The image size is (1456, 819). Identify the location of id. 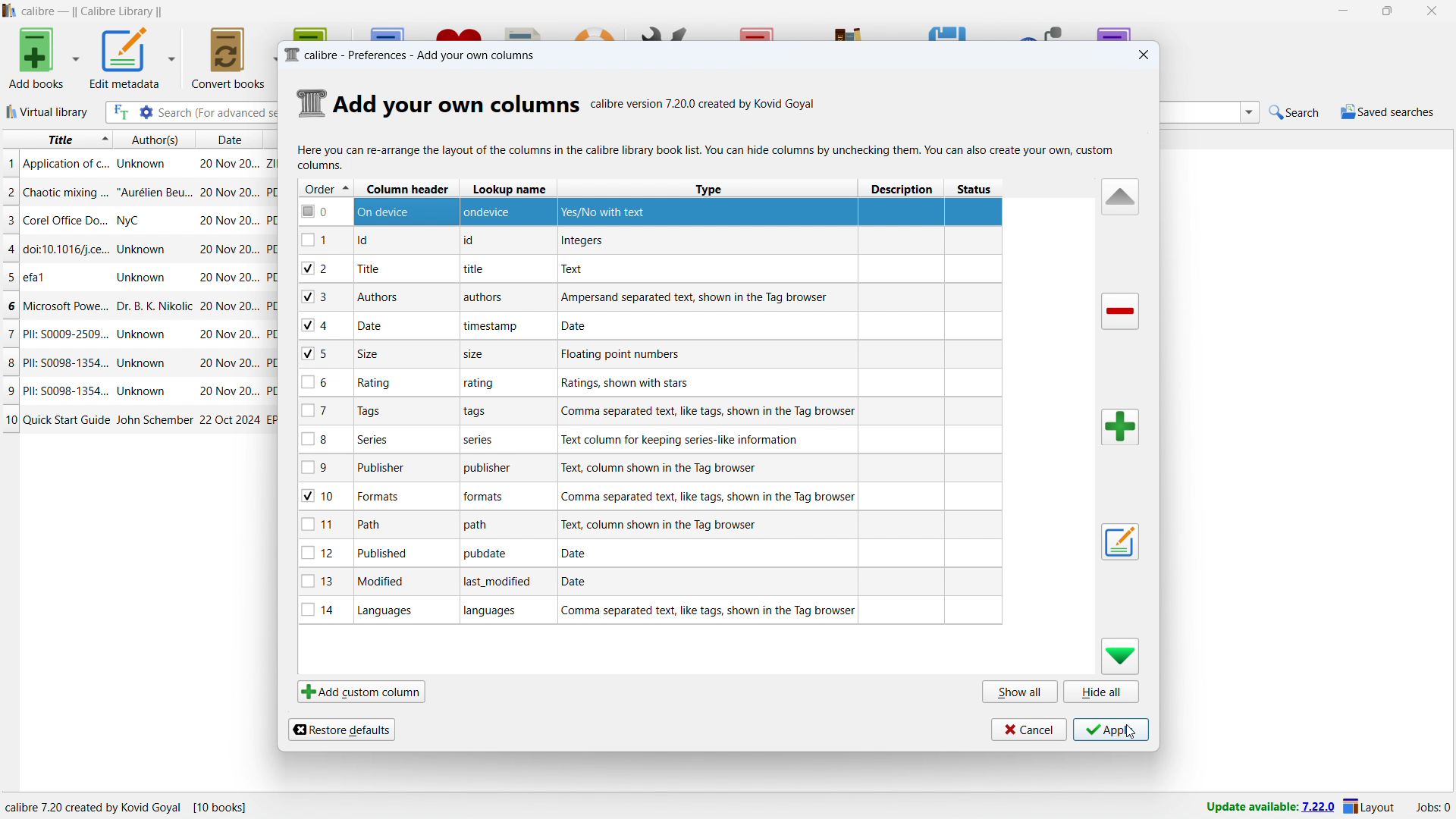
(372, 241).